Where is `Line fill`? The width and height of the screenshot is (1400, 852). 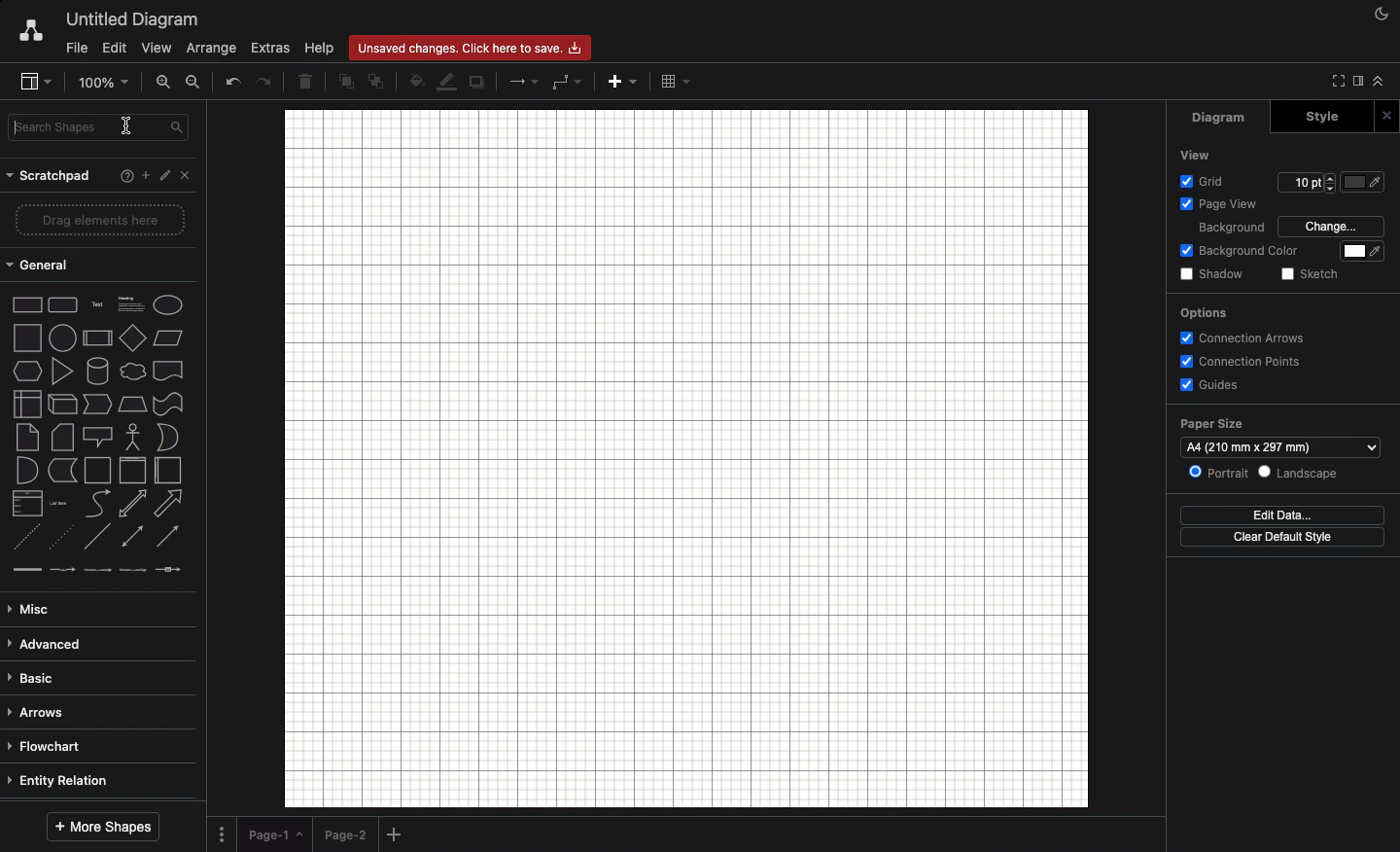 Line fill is located at coordinates (448, 81).